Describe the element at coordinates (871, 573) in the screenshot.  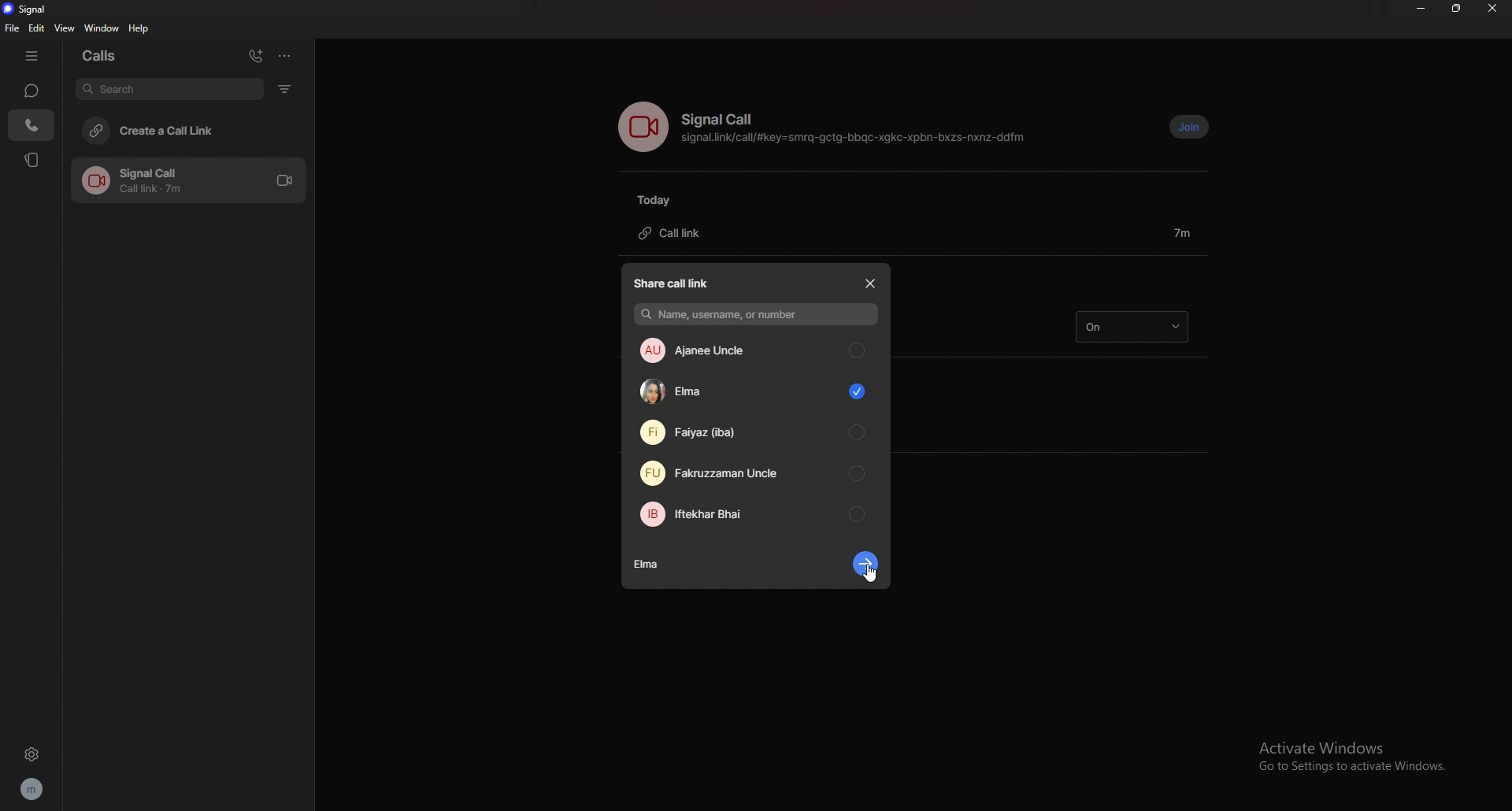
I see `cursor` at that location.